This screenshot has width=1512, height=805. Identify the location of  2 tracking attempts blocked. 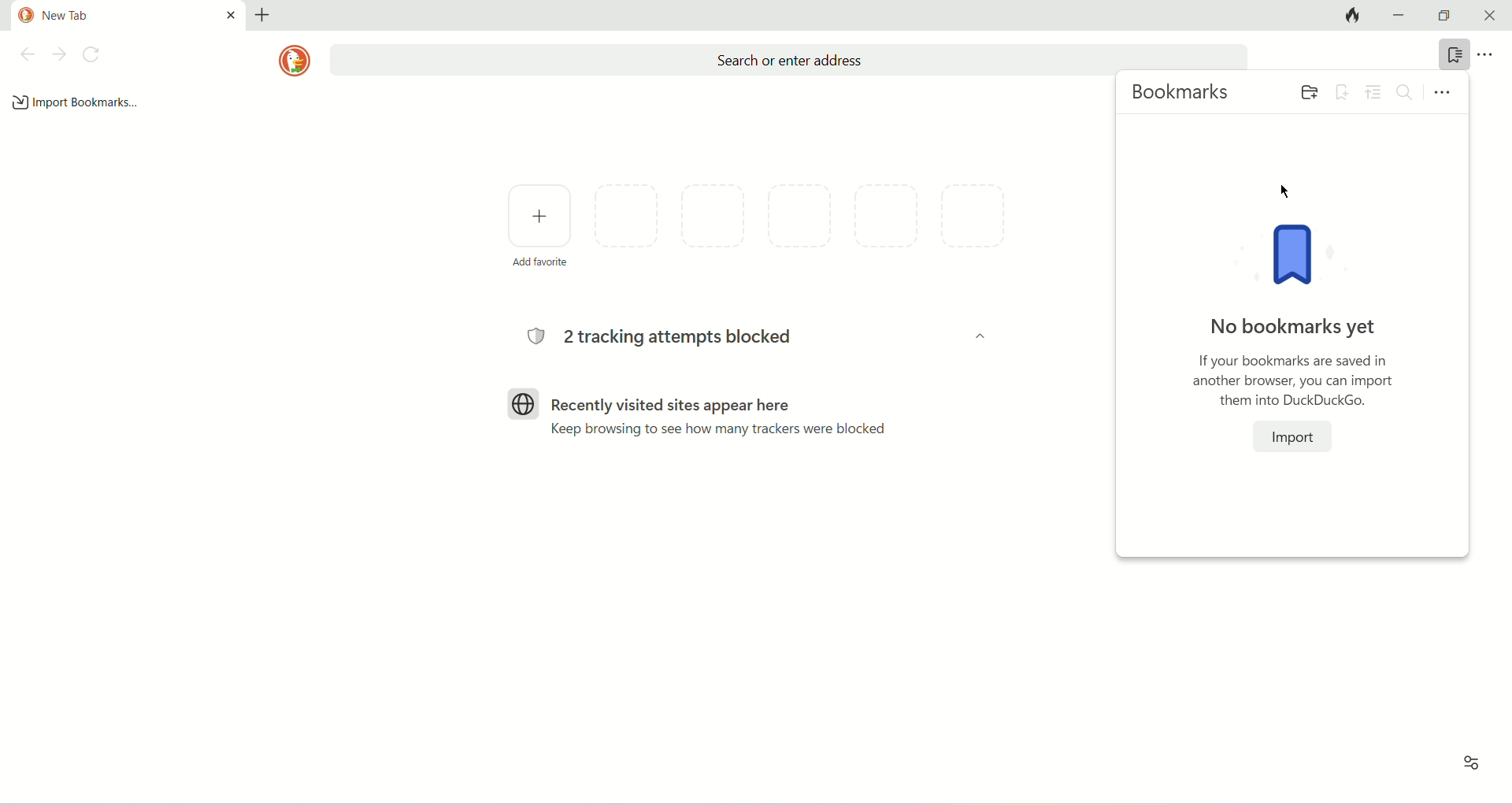
(668, 338).